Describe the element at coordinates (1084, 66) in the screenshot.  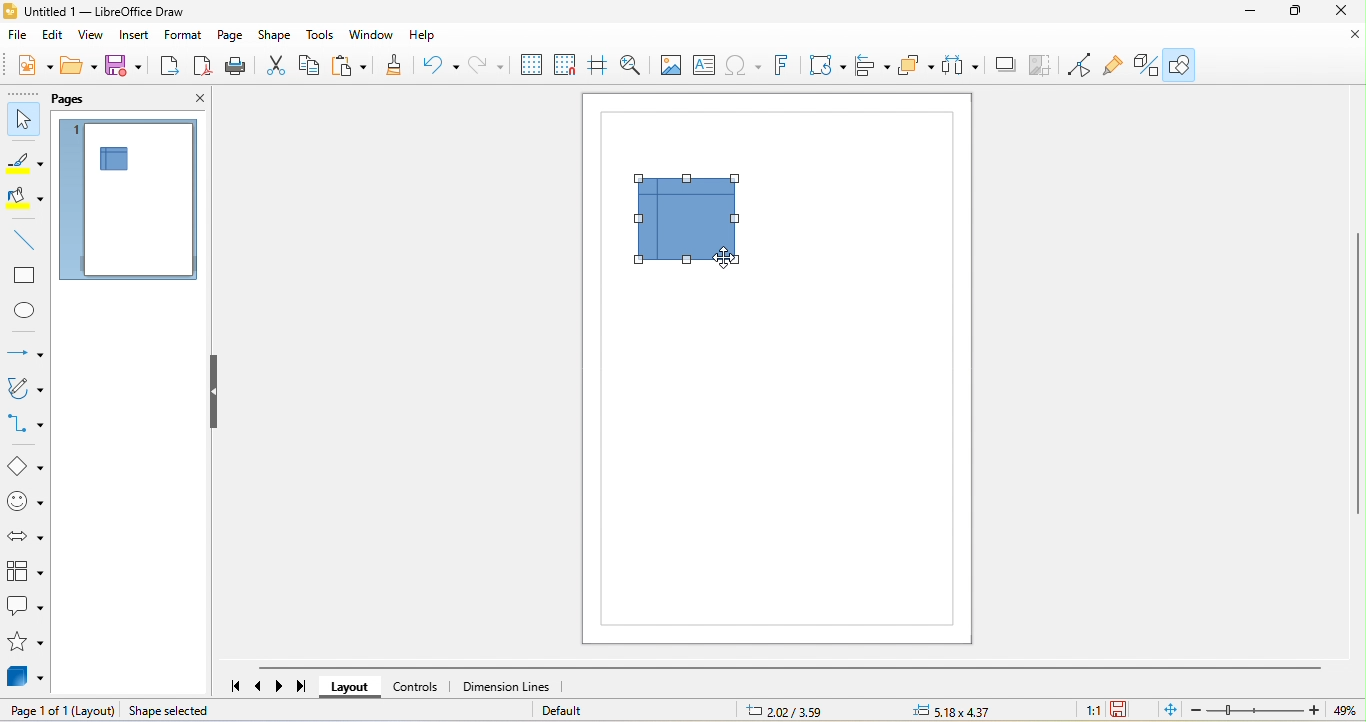
I see `toggle point edit mode` at that location.